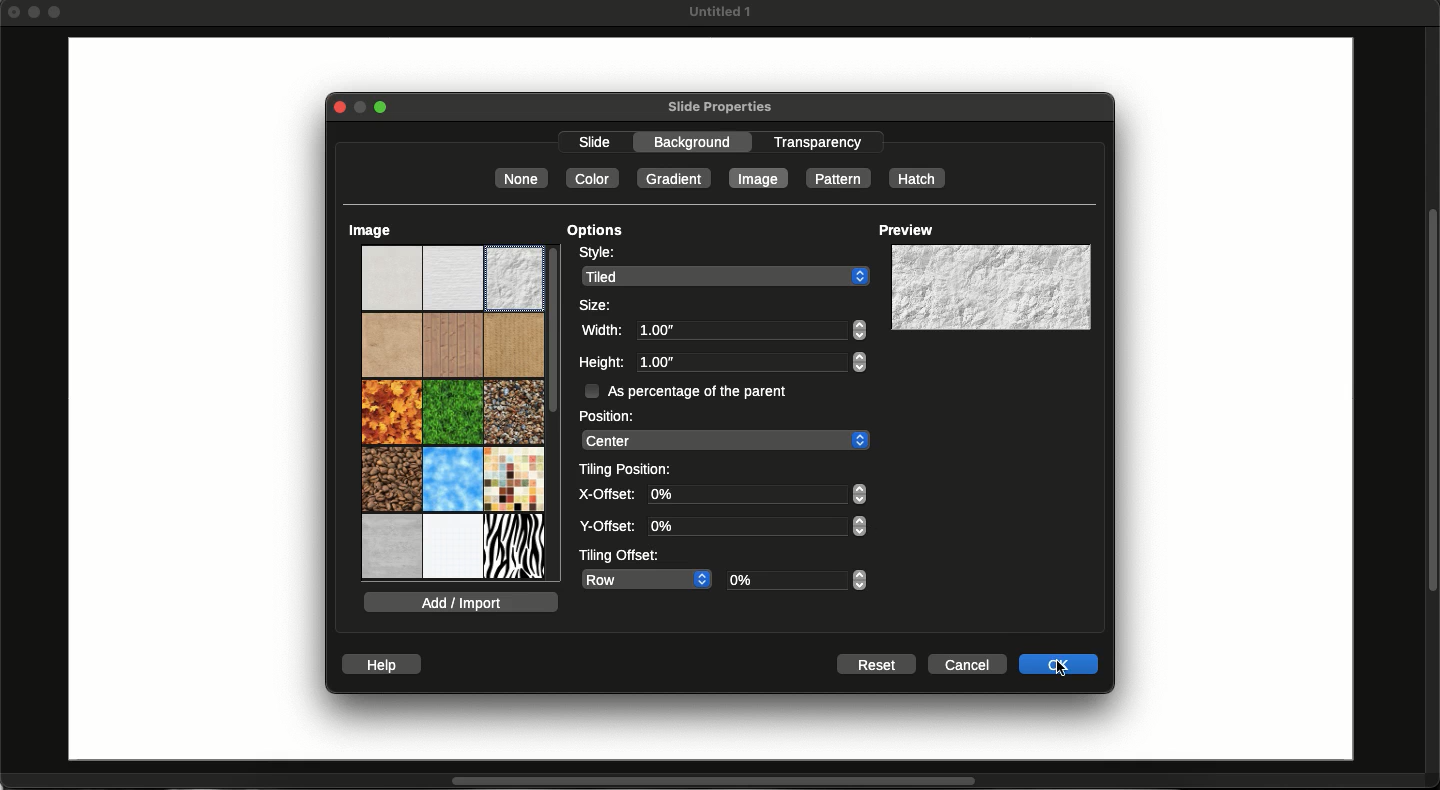  I want to click on Tiled, so click(726, 275).